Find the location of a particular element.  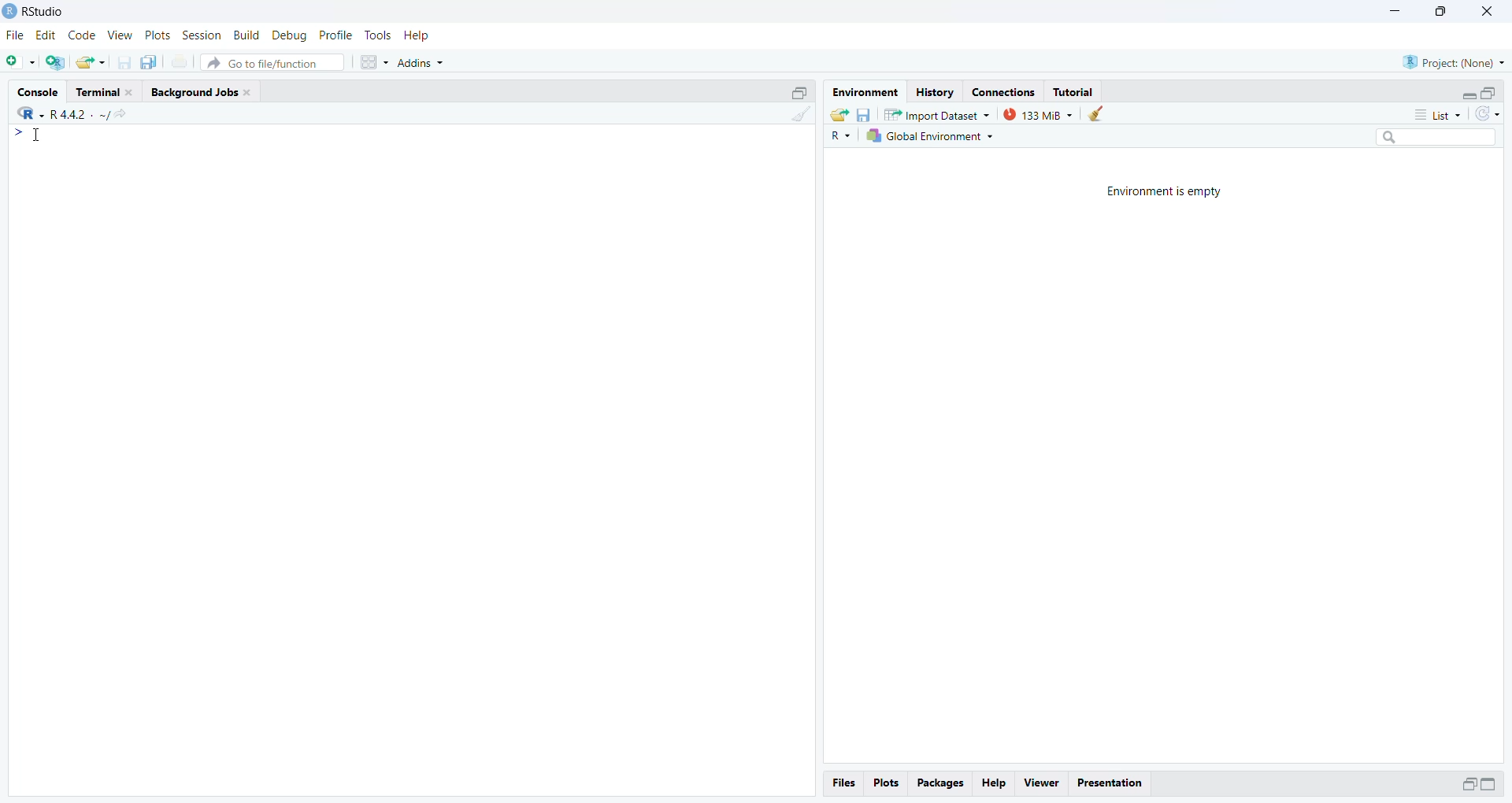

Console is located at coordinates (38, 91).